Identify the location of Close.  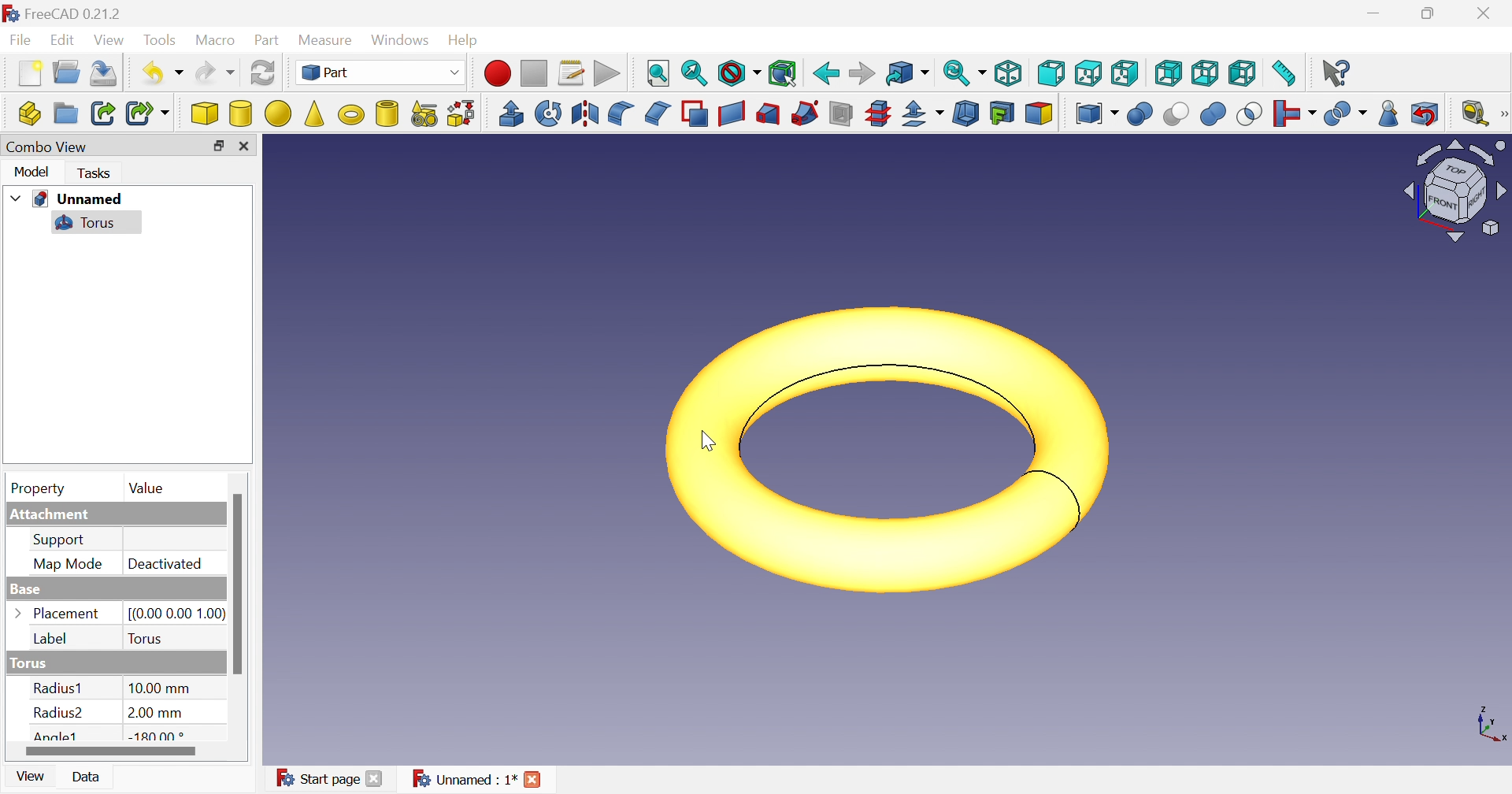
(377, 779).